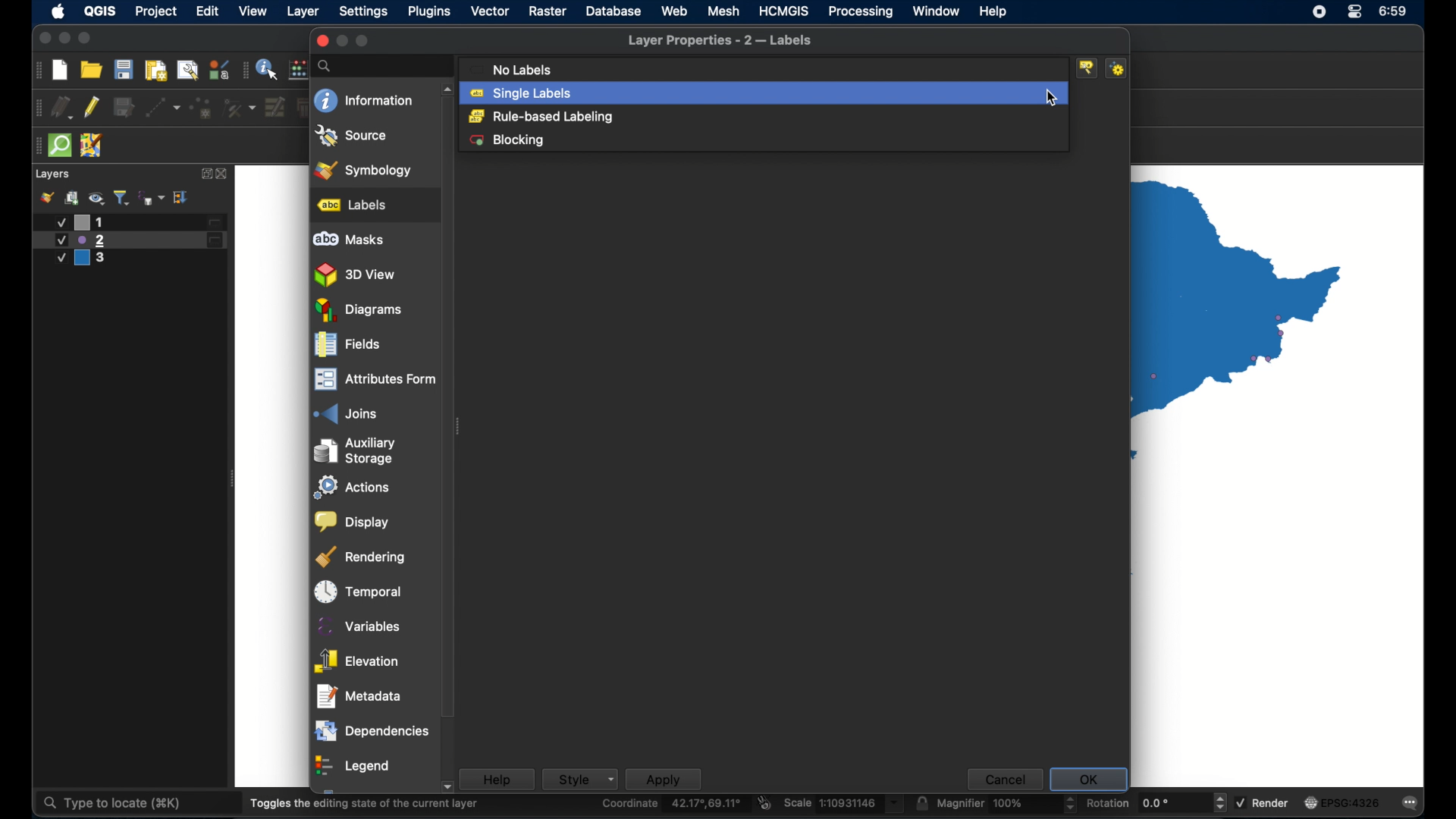 Image resolution: width=1456 pixels, height=819 pixels. I want to click on labels, so click(353, 205).